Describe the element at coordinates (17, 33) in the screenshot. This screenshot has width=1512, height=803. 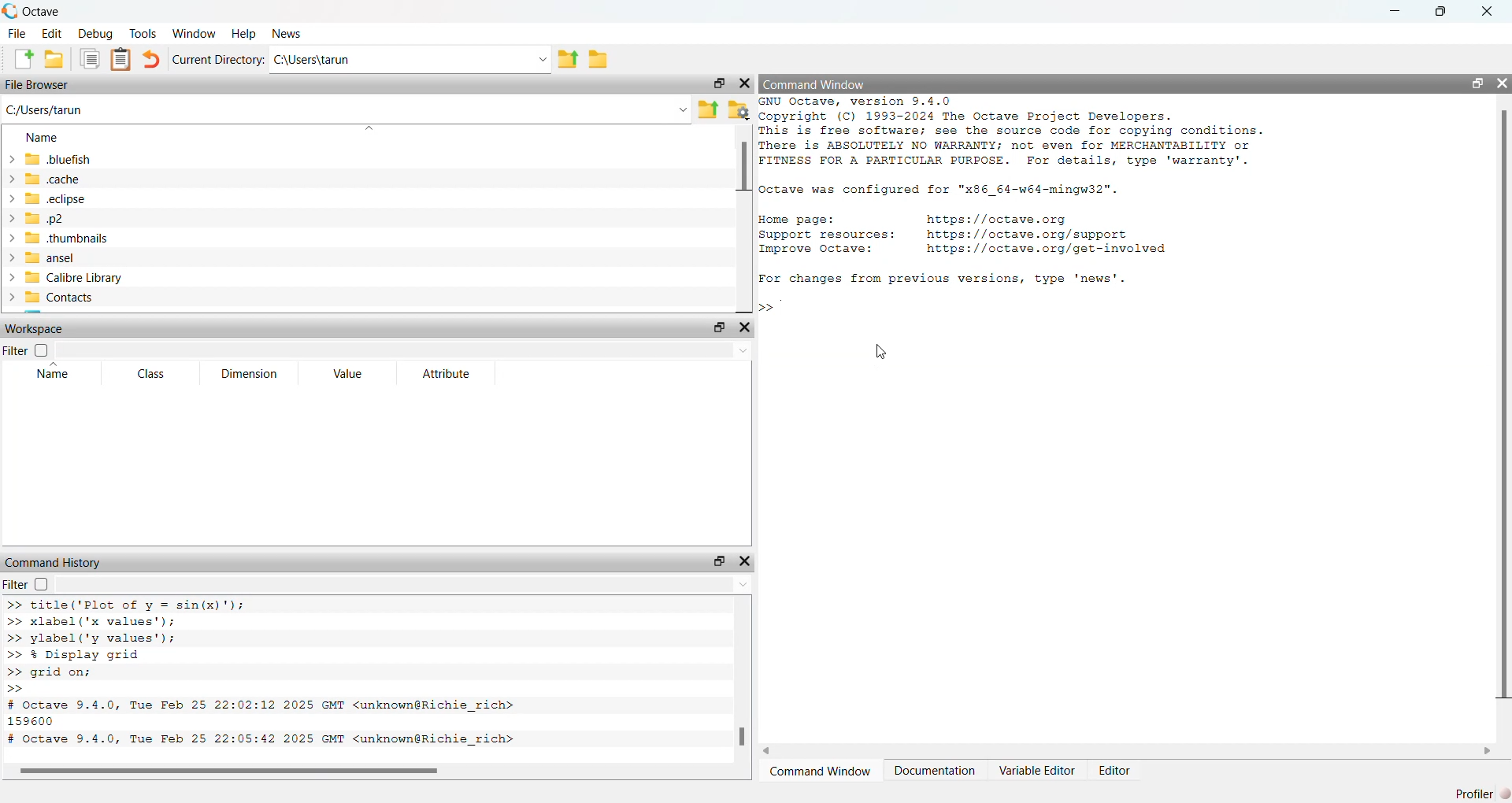
I see `File` at that location.